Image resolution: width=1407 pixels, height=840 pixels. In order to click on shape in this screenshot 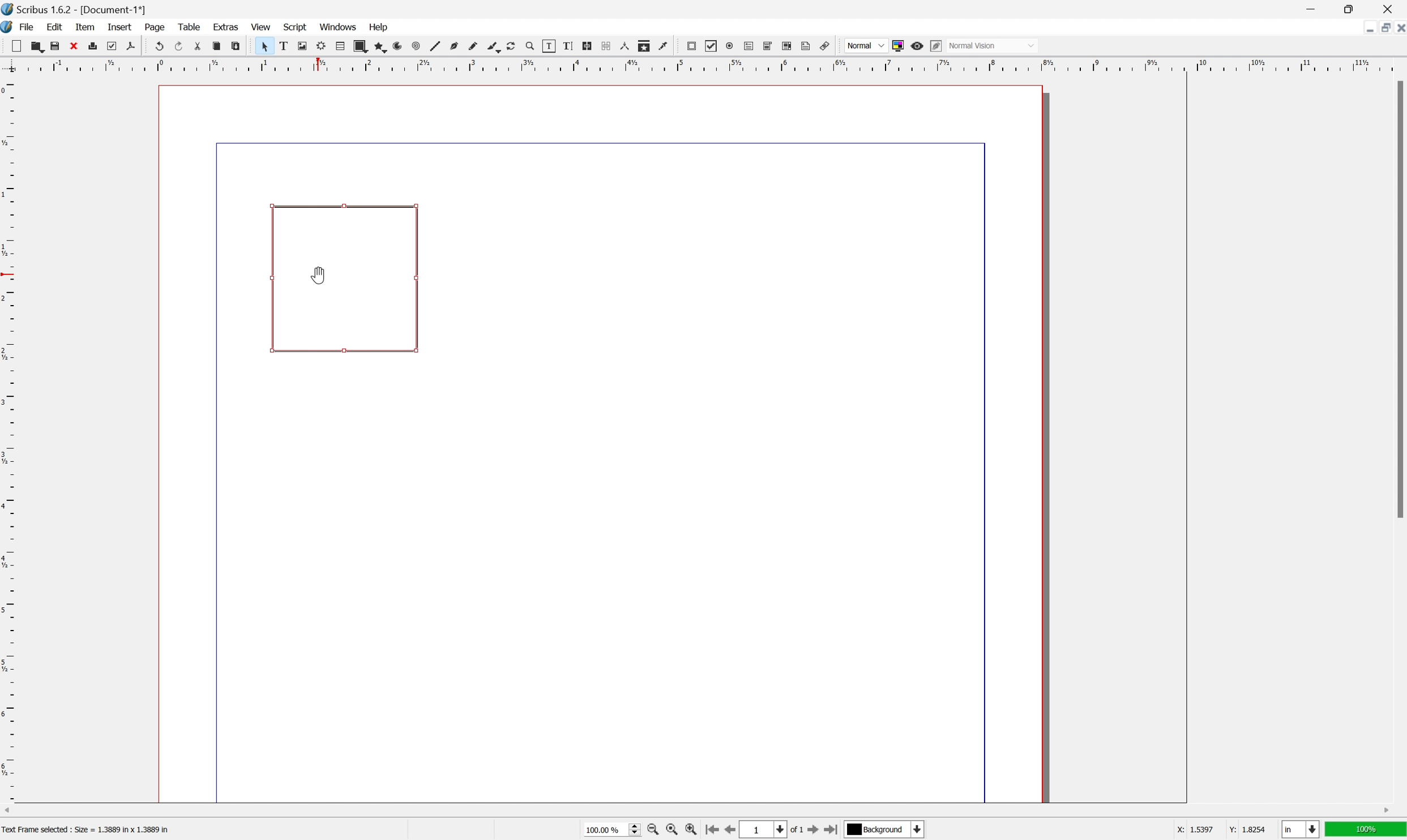, I will do `click(360, 46)`.